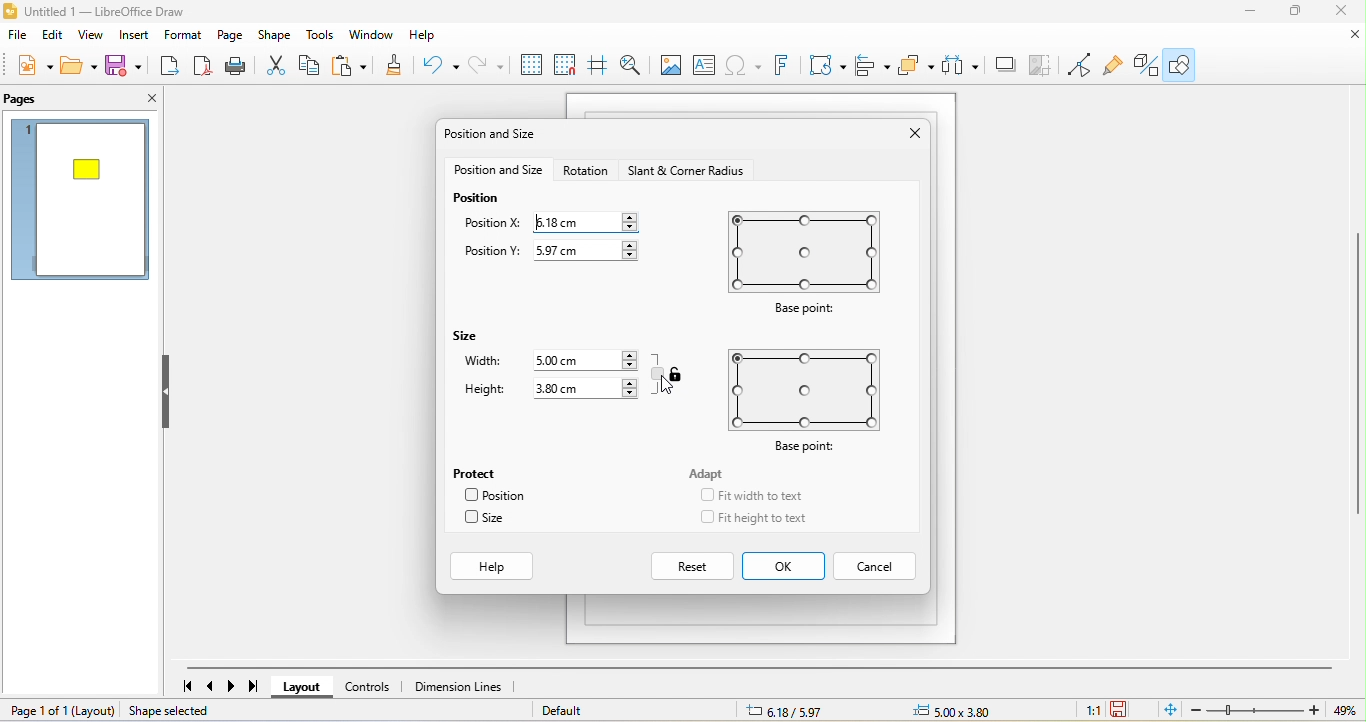 This screenshot has width=1366, height=722. What do you see at coordinates (631, 63) in the screenshot?
I see `zoom and pan` at bounding box center [631, 63].